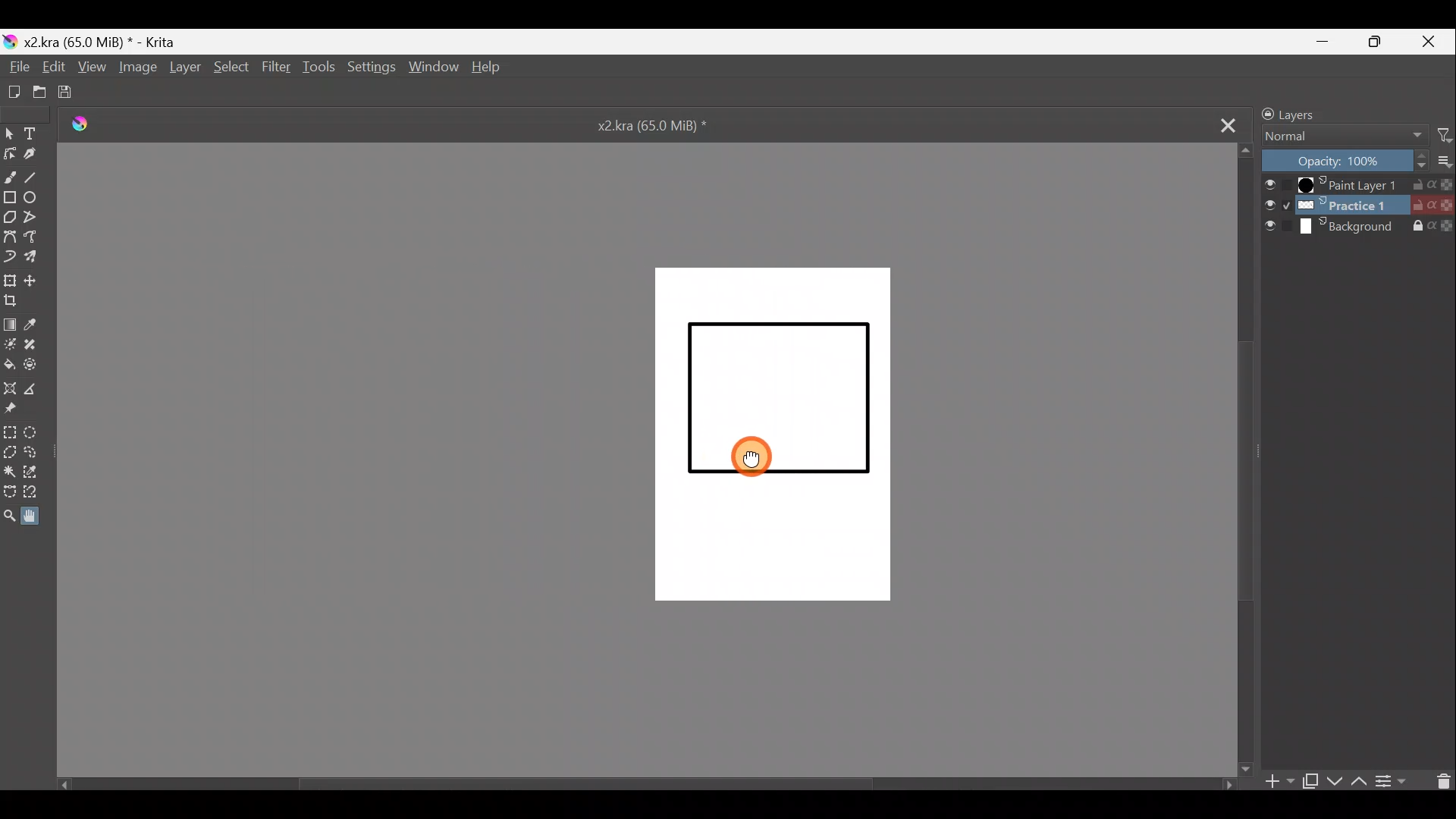 The height and width of the screenshot is (819, 1456). What do you see at coordinates (11, 454) in the screenshot?
I see `Polygonal selection tool` at bounding box center [11, 454].